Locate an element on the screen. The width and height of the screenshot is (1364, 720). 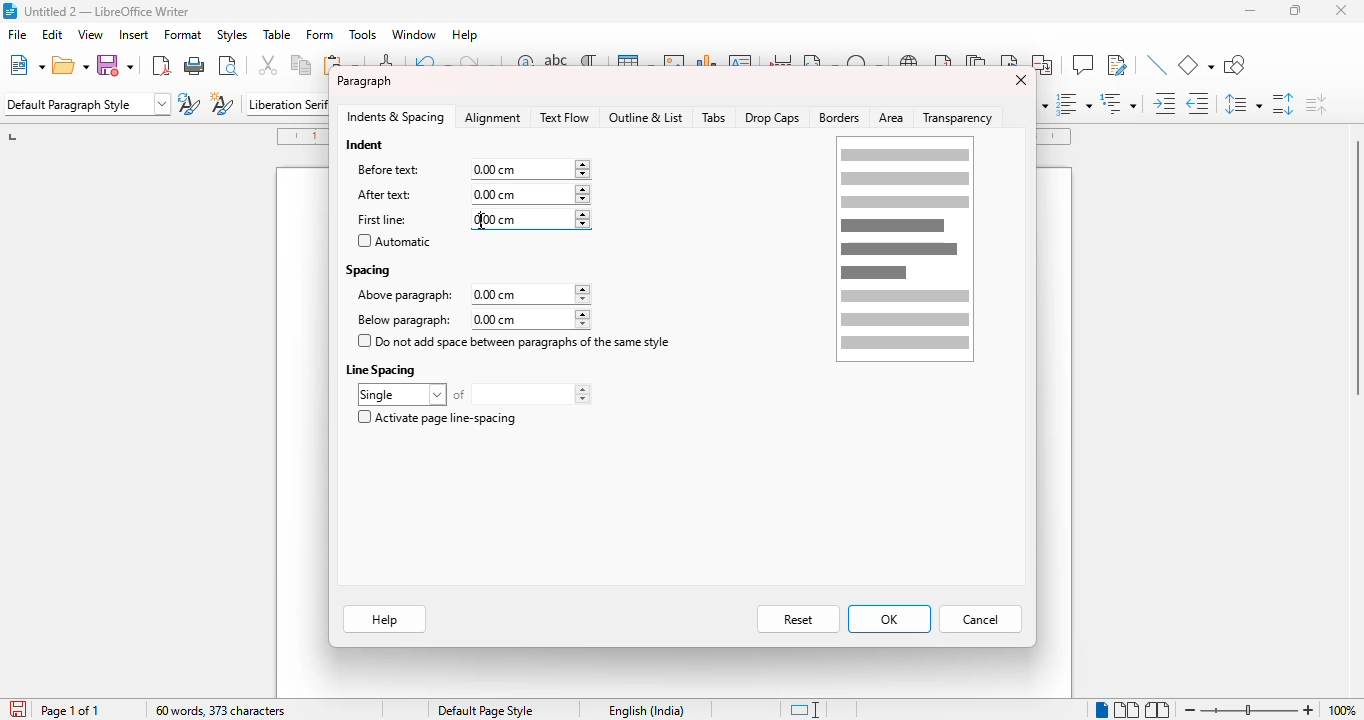
below paragraph is located at coordinates (470, 319).